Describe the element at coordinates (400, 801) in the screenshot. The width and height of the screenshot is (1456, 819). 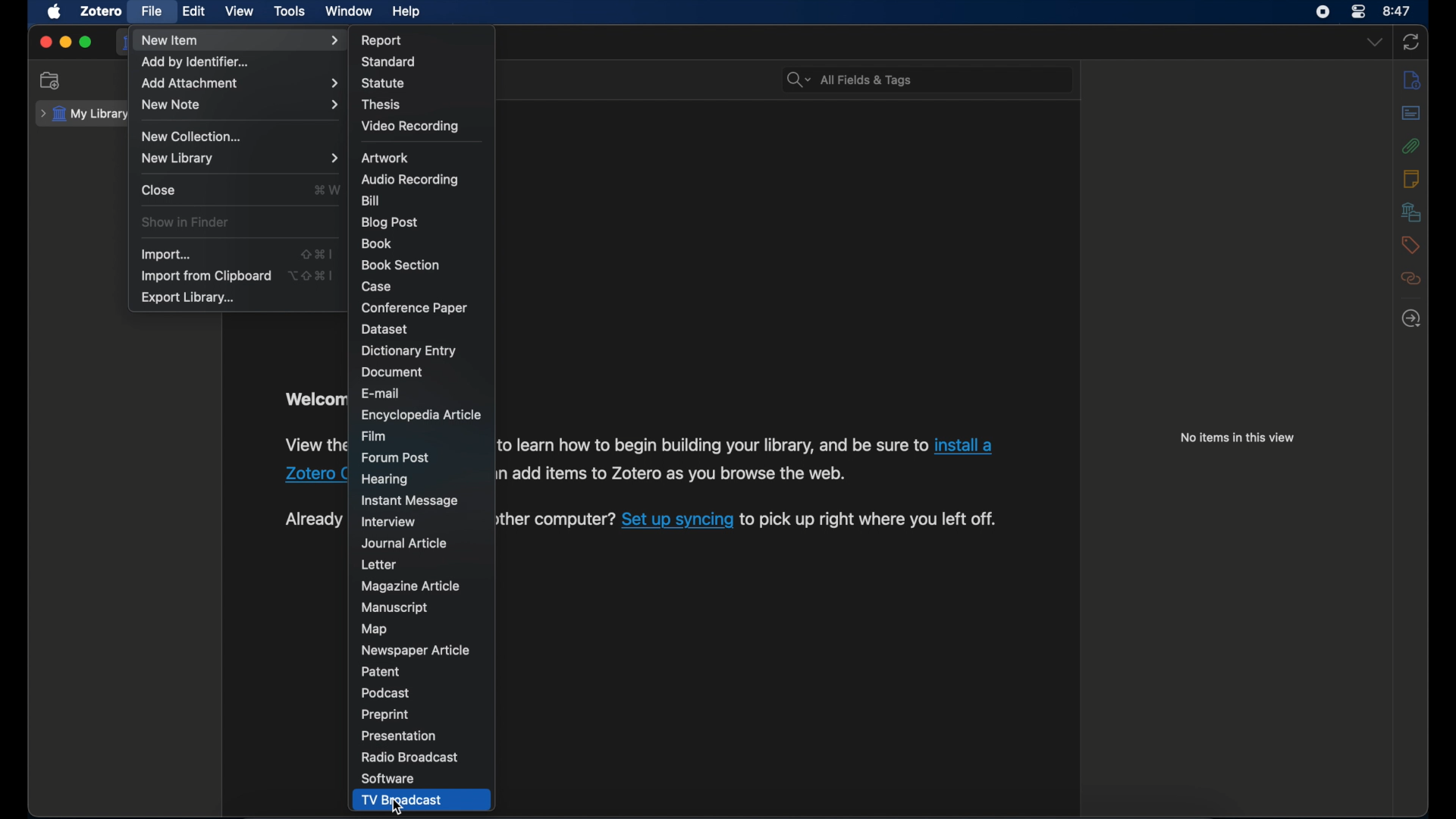
I see `tv broadcast` at that location.